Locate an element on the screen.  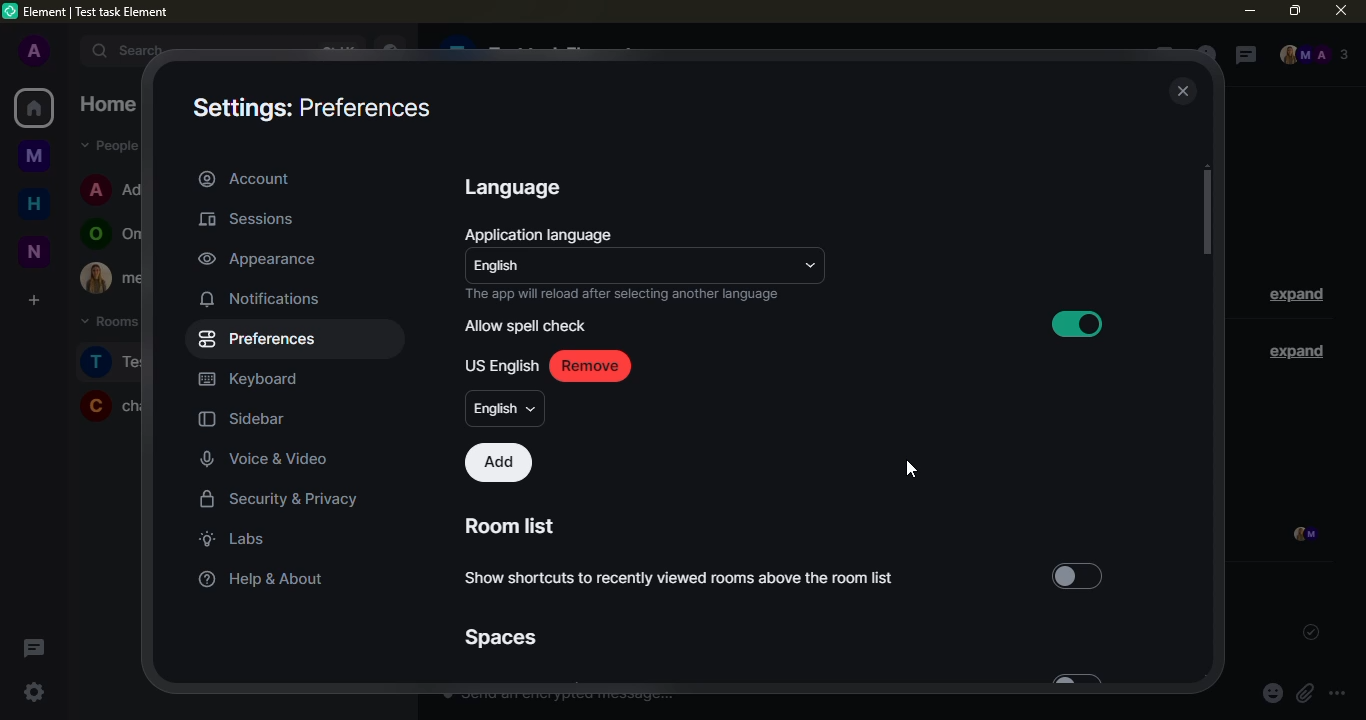
help is located at coordinates (256, 579).